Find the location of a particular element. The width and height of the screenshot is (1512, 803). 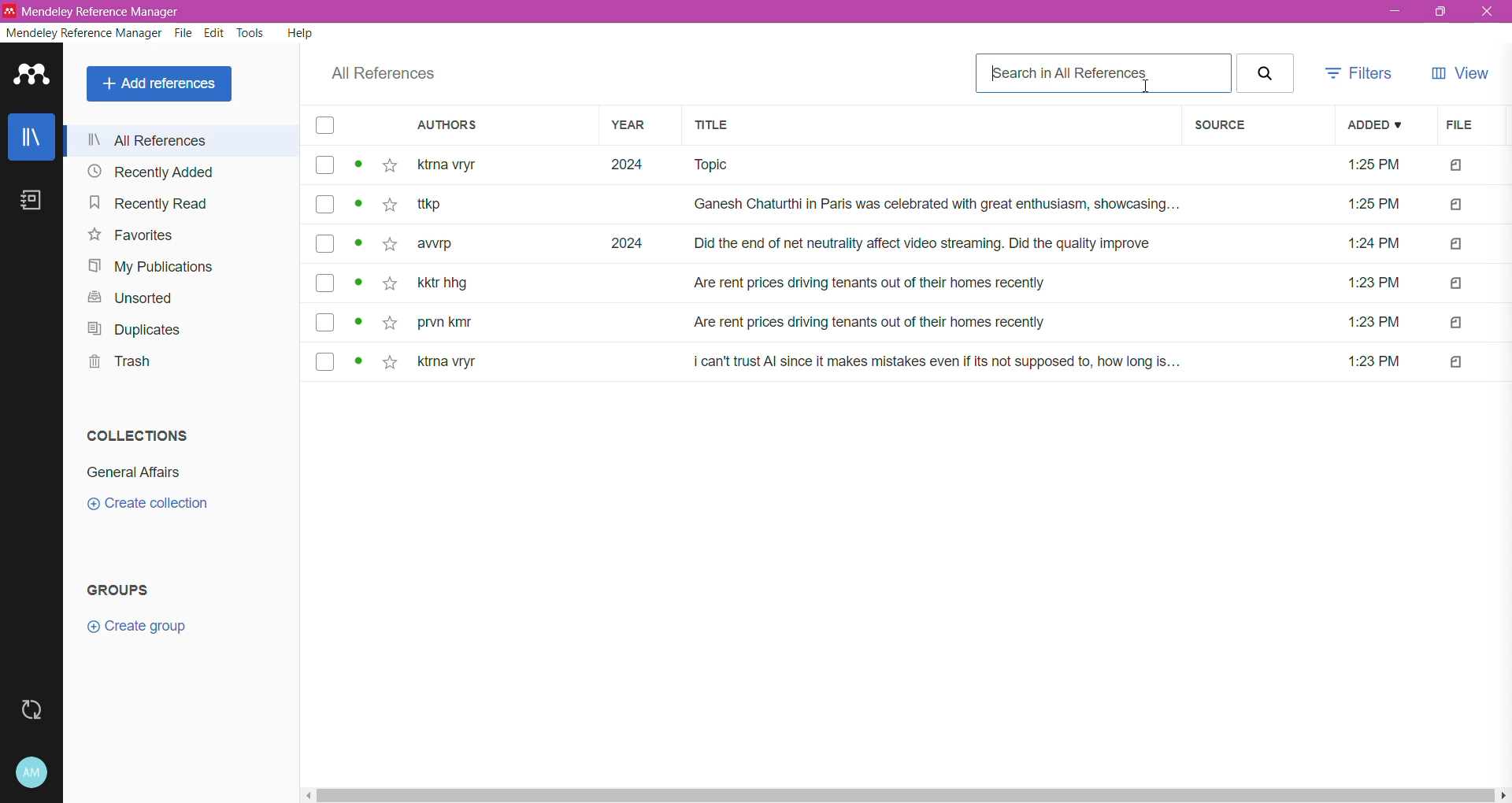

Add References is located at coordinates (159, 84).